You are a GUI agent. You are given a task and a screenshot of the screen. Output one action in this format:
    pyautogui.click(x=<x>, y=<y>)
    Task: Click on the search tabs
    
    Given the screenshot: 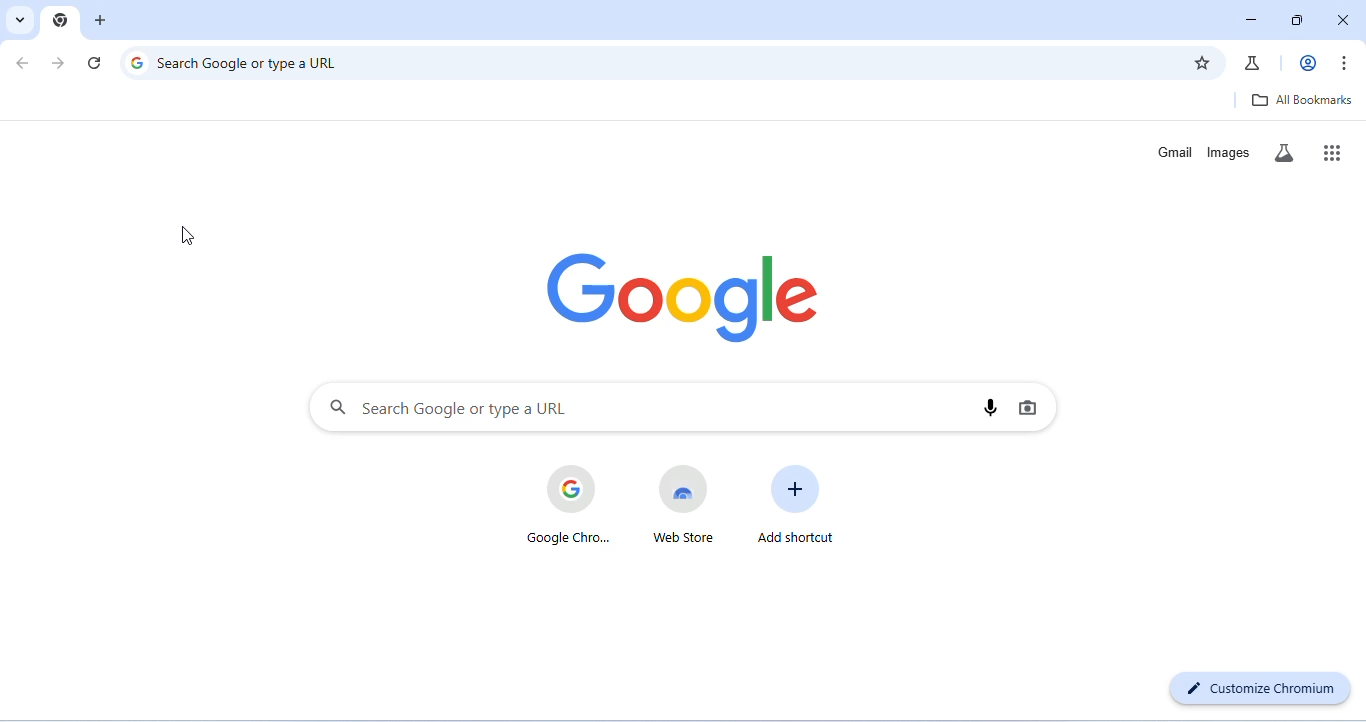 What is the action you would take?
    pyautogui.click(x=18, y=20)
    